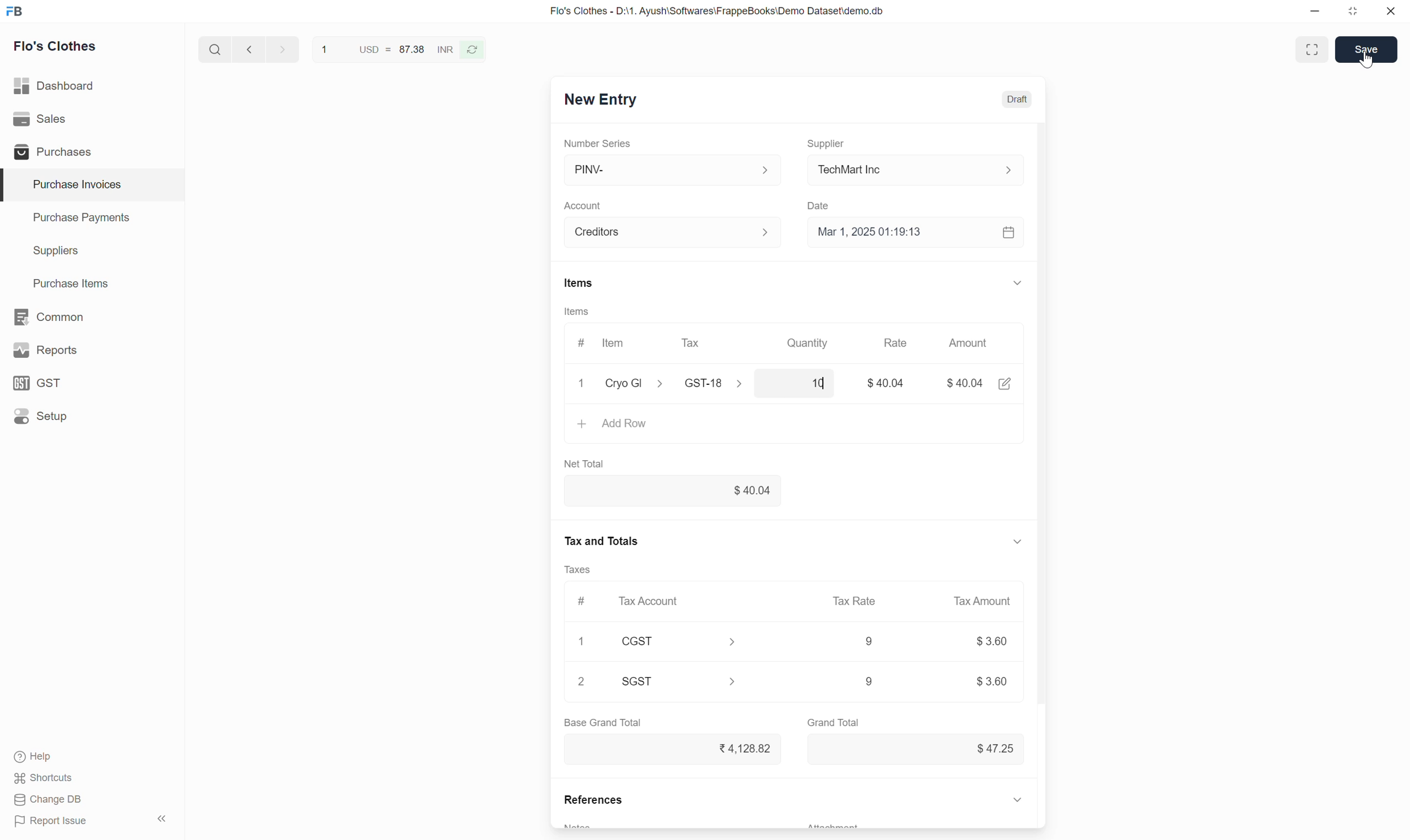 The height and width of the screenshot is (840, 1410). Describe the element at coordinates (70, 185) in the screenshot. I see `Purchase Invoices` at that location.